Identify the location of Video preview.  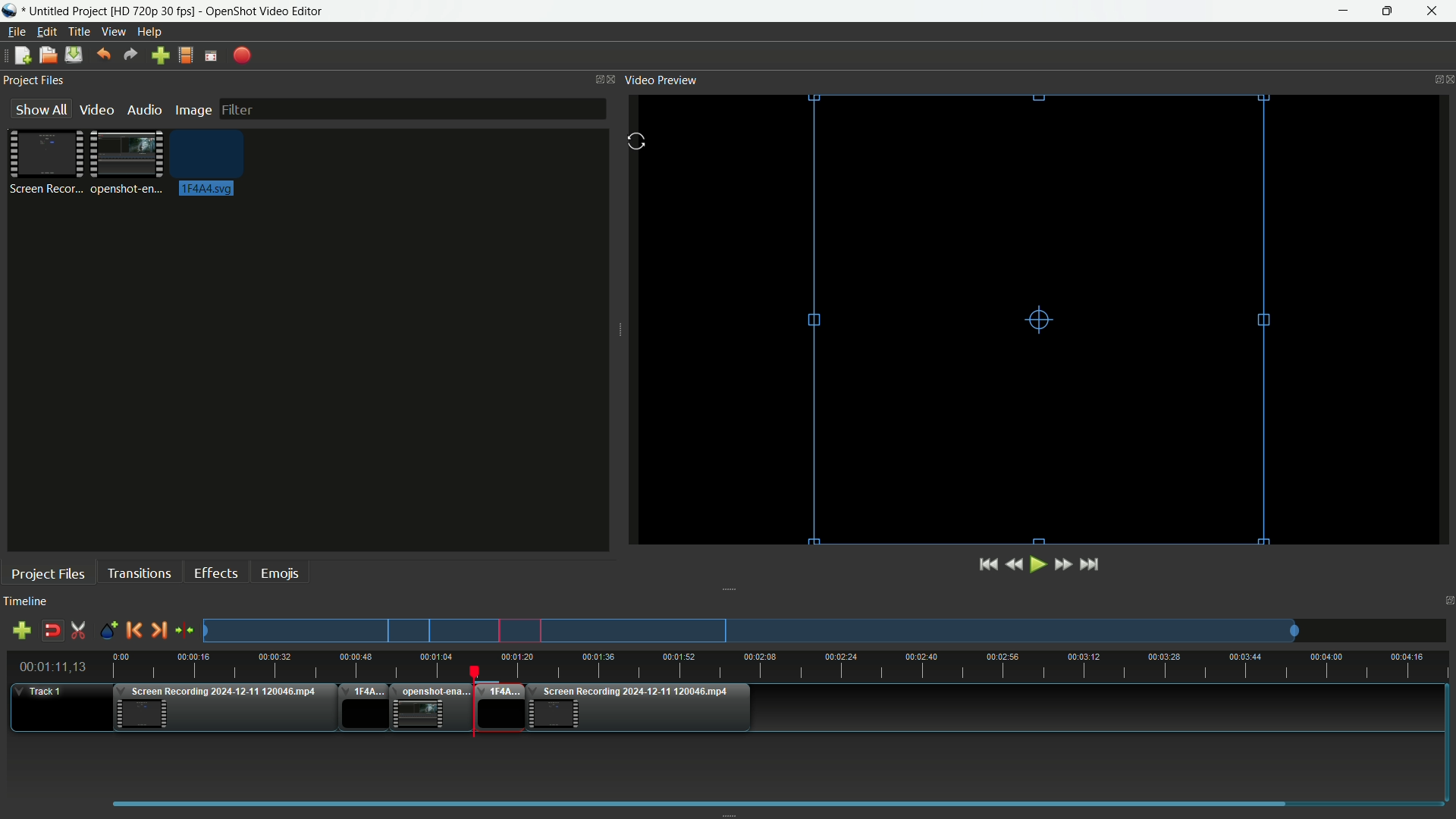
(661, 79).